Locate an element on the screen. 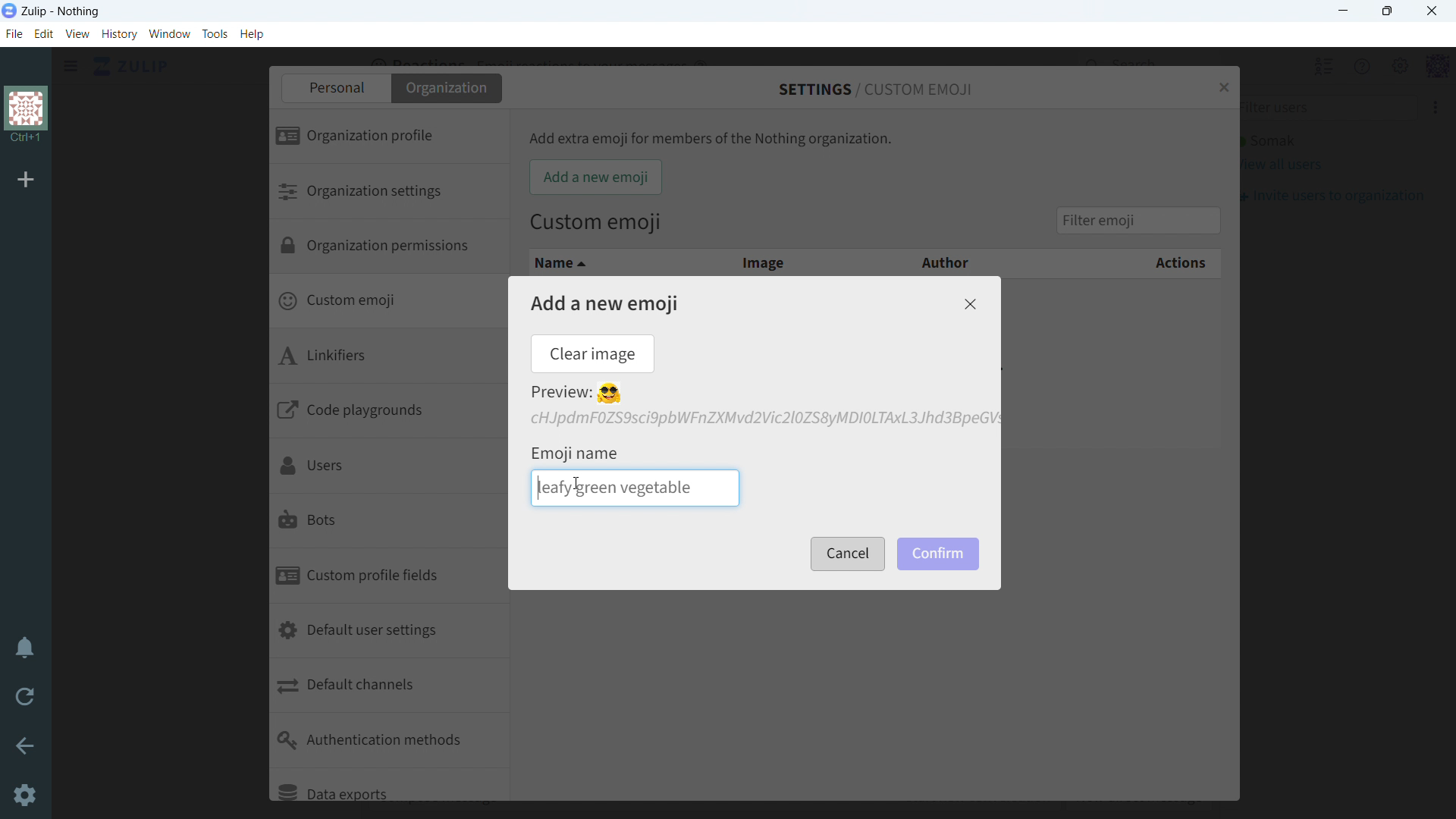  authentication methods is located at coordinates (389, 741).